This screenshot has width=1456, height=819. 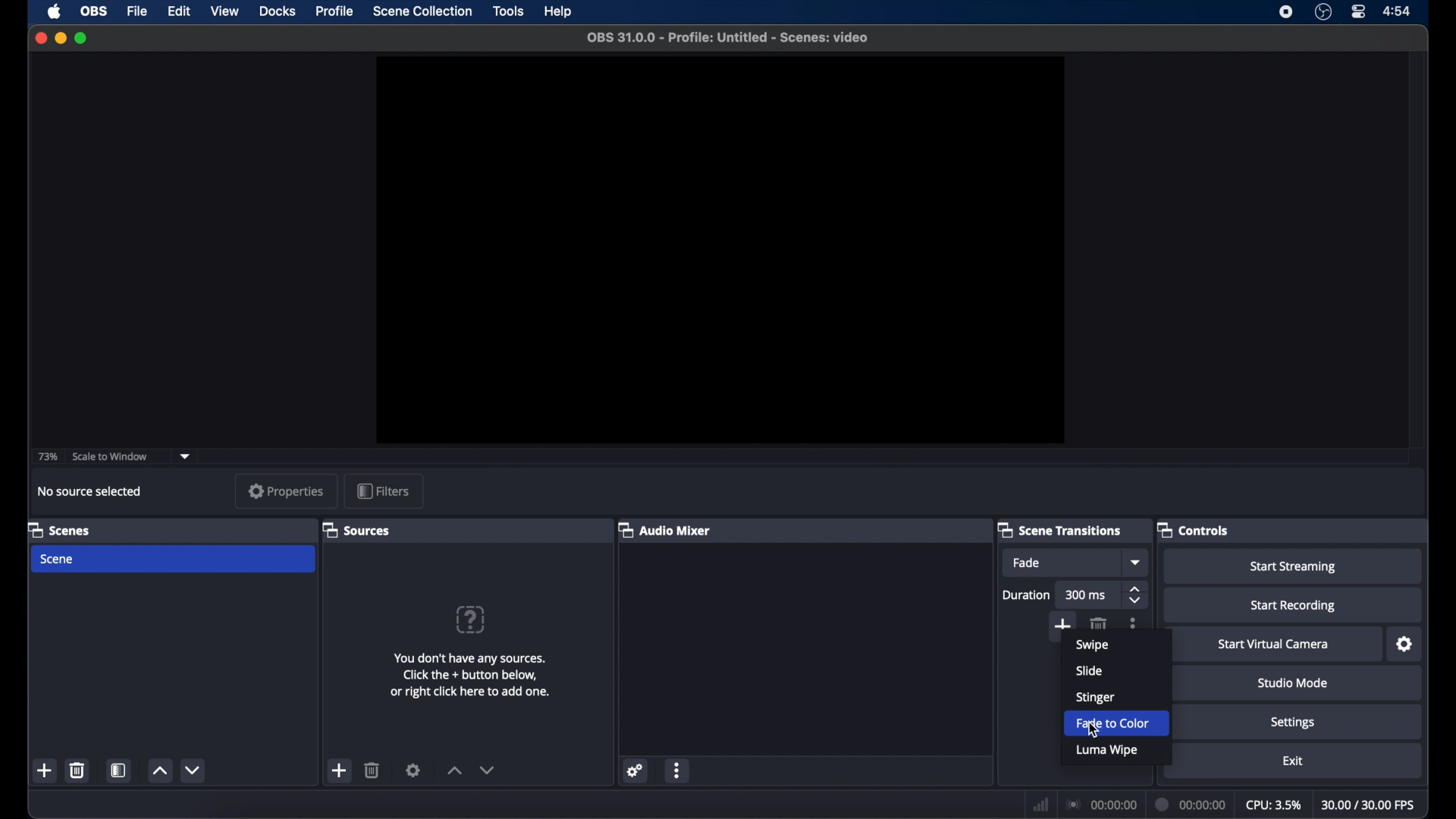 What do you see at coordinates (487, 770) in the screenshot?
I see `decrement` at bounding box center [487, 770].